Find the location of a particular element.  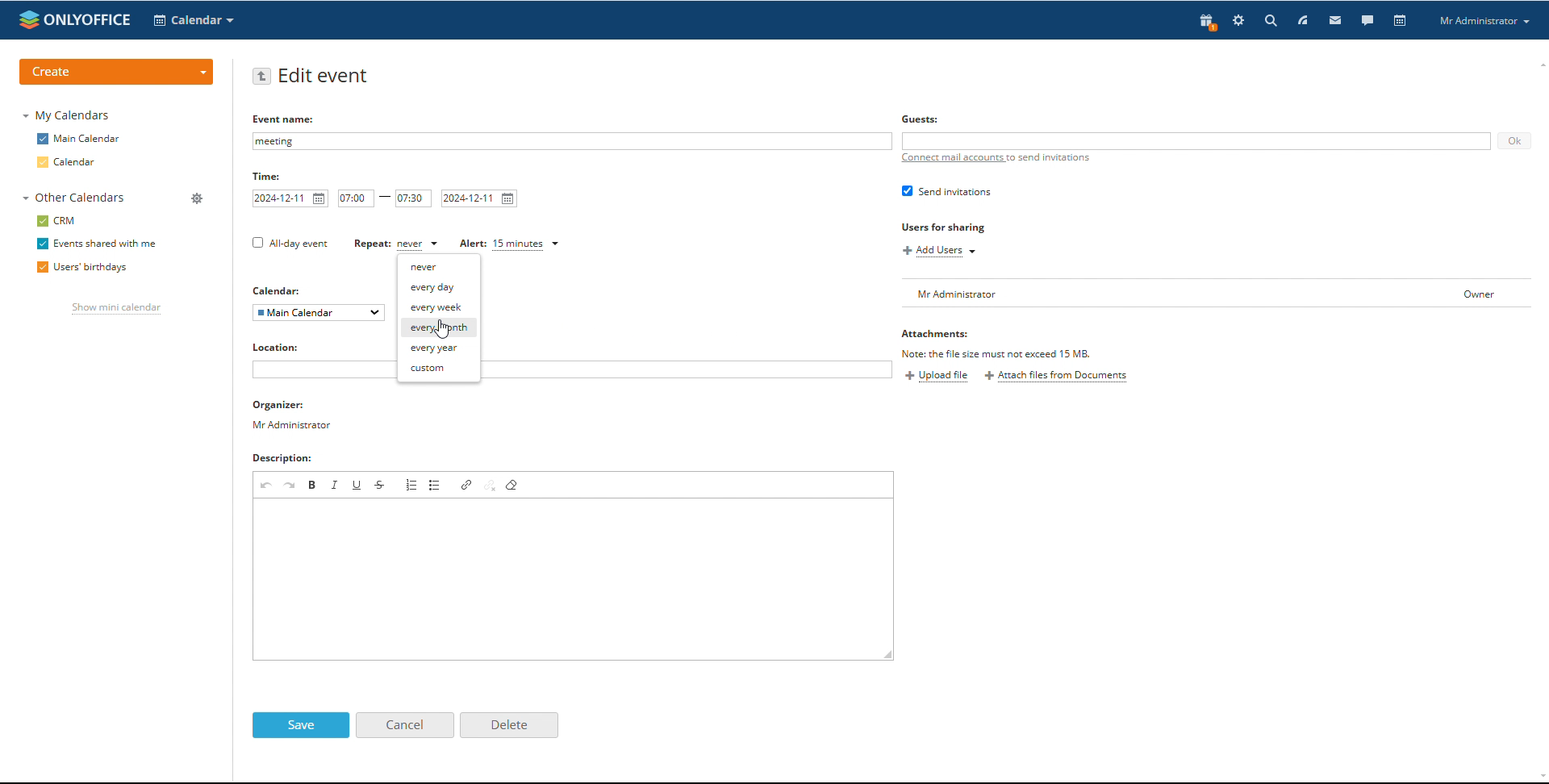

search is located at coordinates (1322, 21).